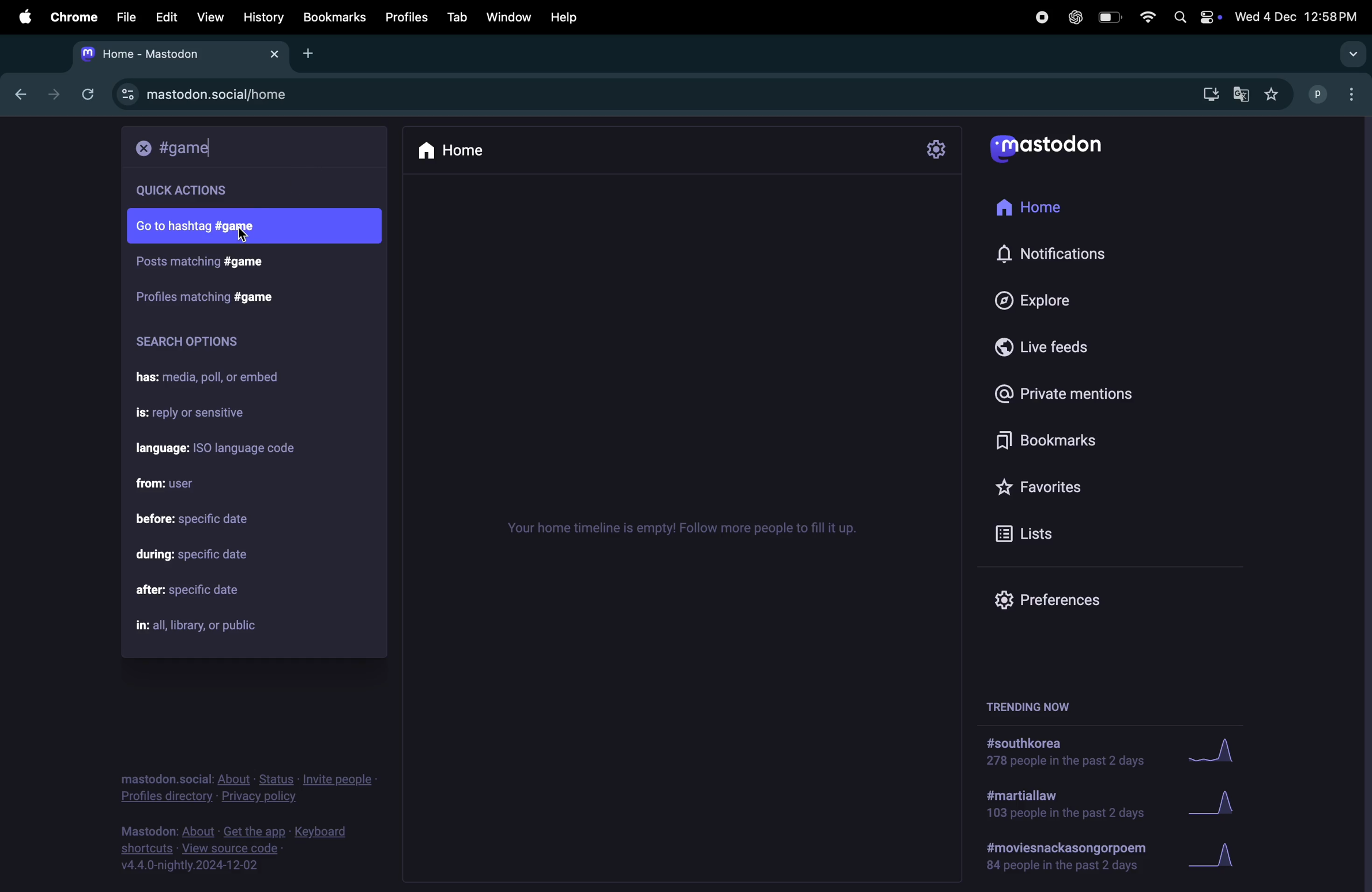 The image size is (1372, 892). Describe the element at coordinates (1215, 803) in the screenshot. I see `Graph` at that location.